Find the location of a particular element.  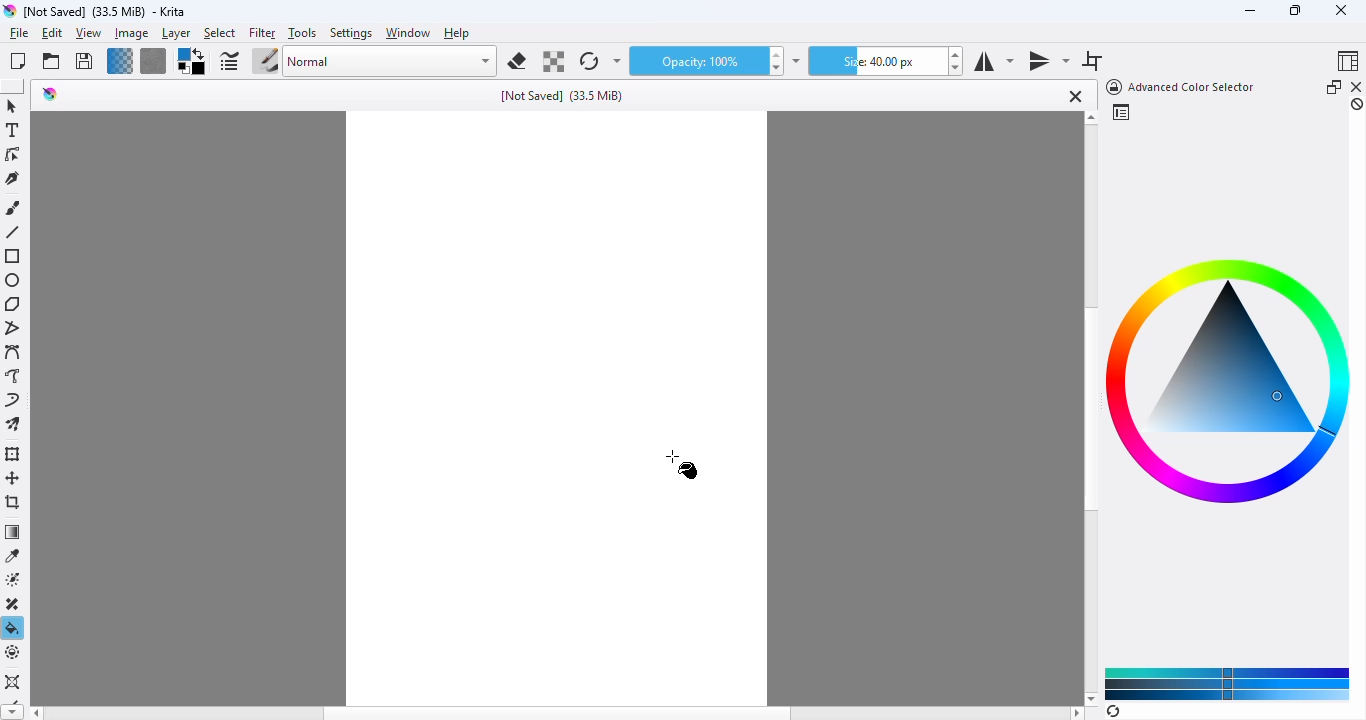

scroll down is located at coordinates (1091, 698).